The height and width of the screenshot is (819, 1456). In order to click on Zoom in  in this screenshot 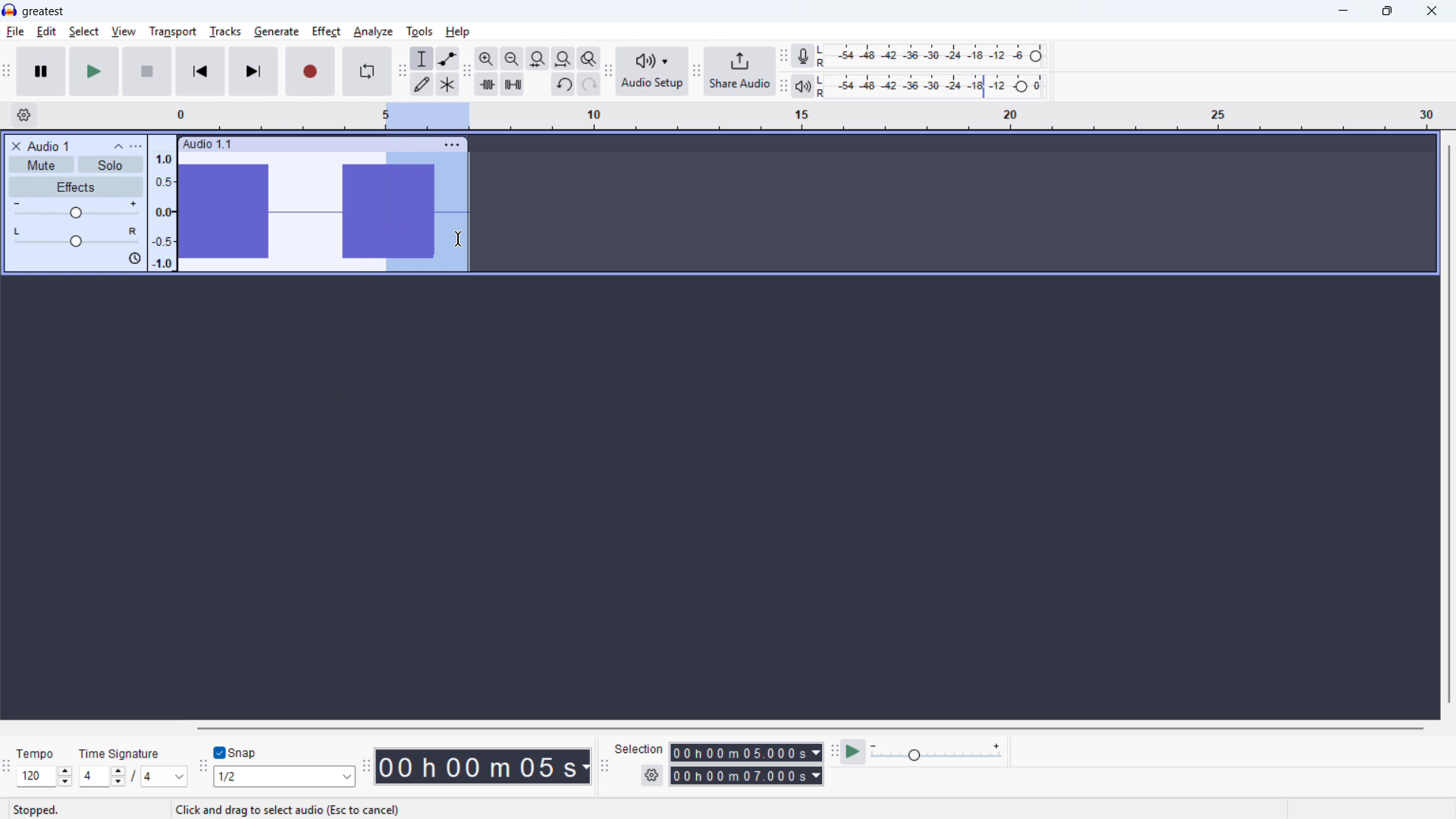, I will do `click(487, 58)`.